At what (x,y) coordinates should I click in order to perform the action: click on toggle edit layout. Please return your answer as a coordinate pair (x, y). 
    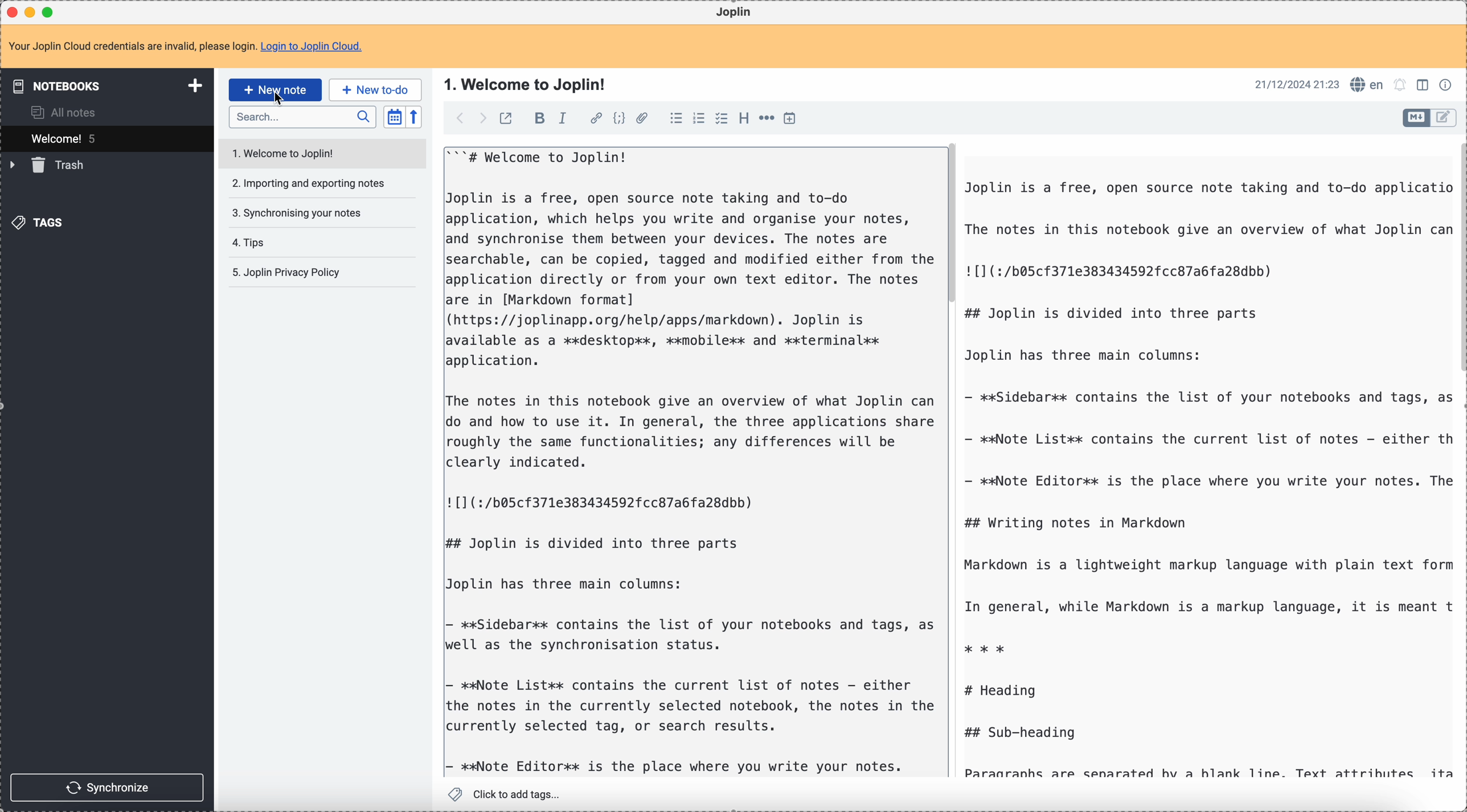
    Looking at the image, I should click on (1444, 118).